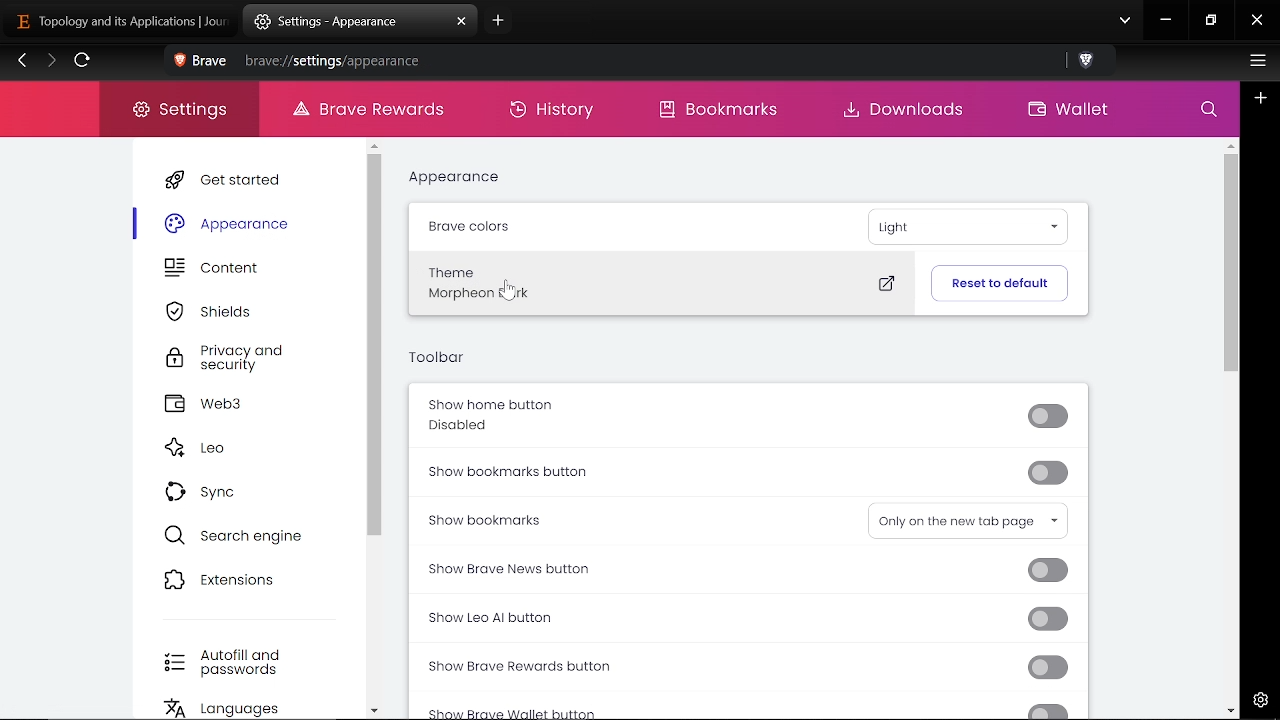 This screenshot has height=720, width=1280. What do you see at coordinates (1209, 113) in the screenshot?
I see `Serach` at bounding box center [1209, 113].